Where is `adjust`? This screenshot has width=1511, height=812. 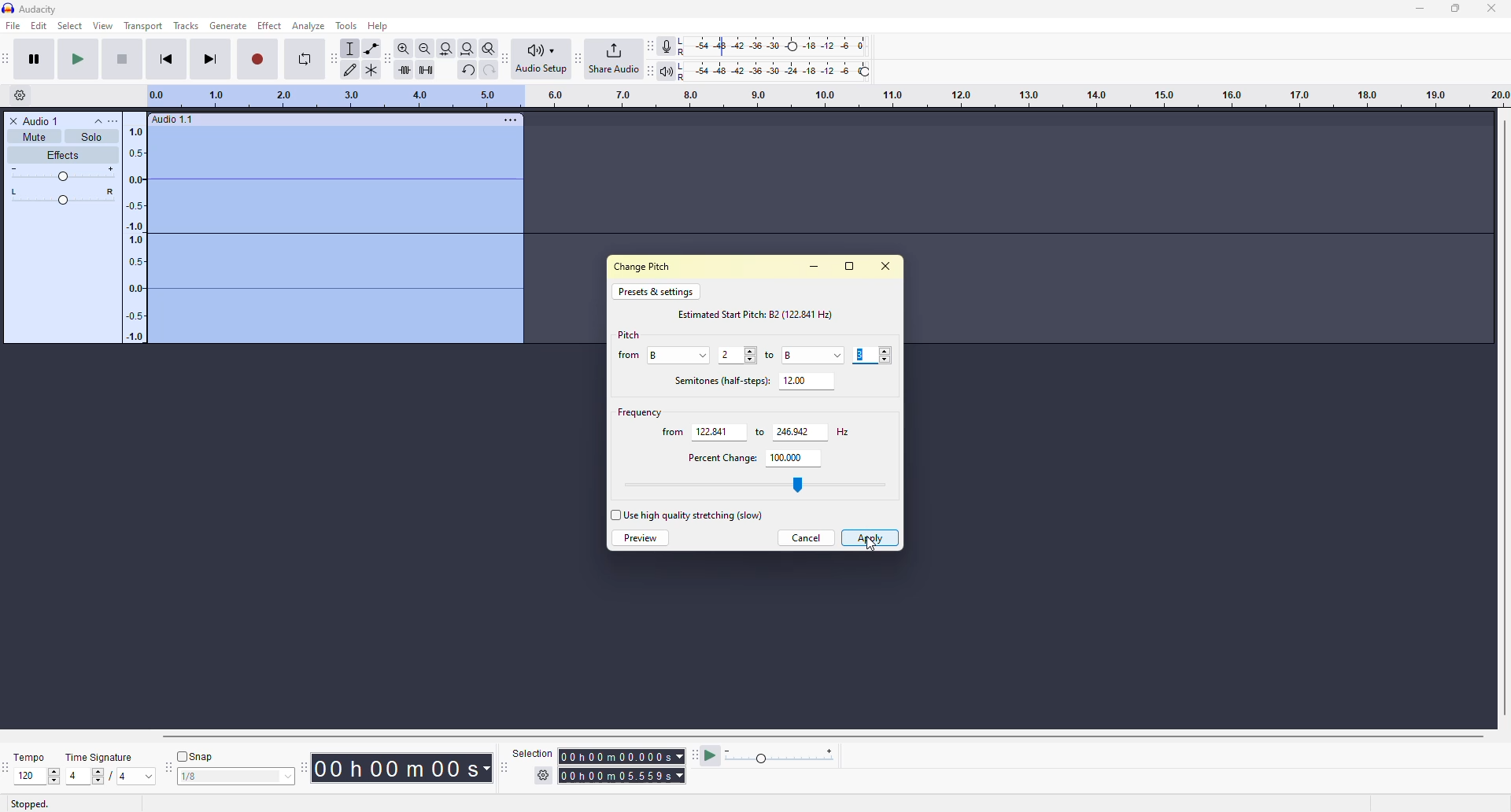 adjust is located at coordinates (750, 356).